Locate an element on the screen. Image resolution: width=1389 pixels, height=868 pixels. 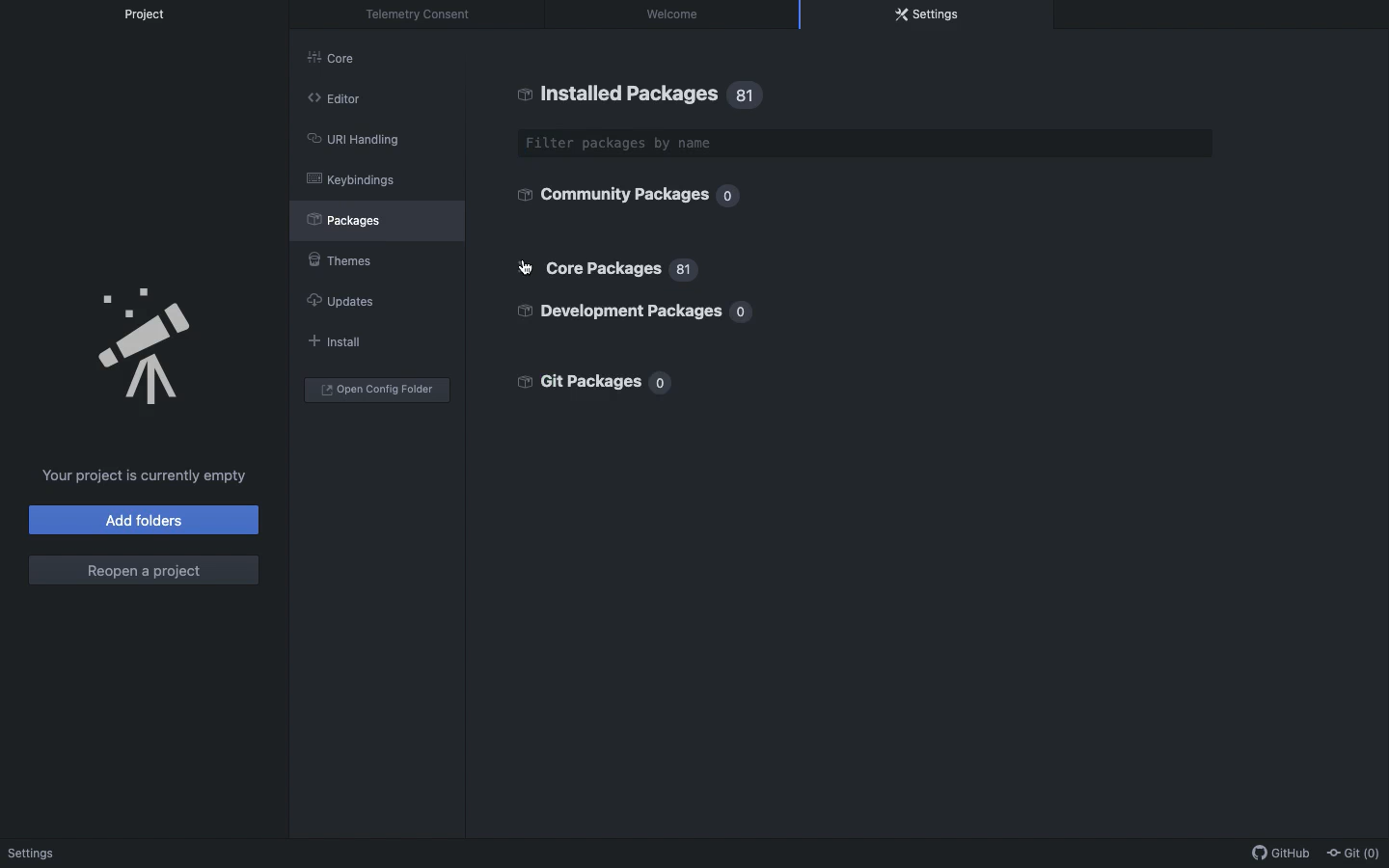
Install is located at coordinates (332, 340).